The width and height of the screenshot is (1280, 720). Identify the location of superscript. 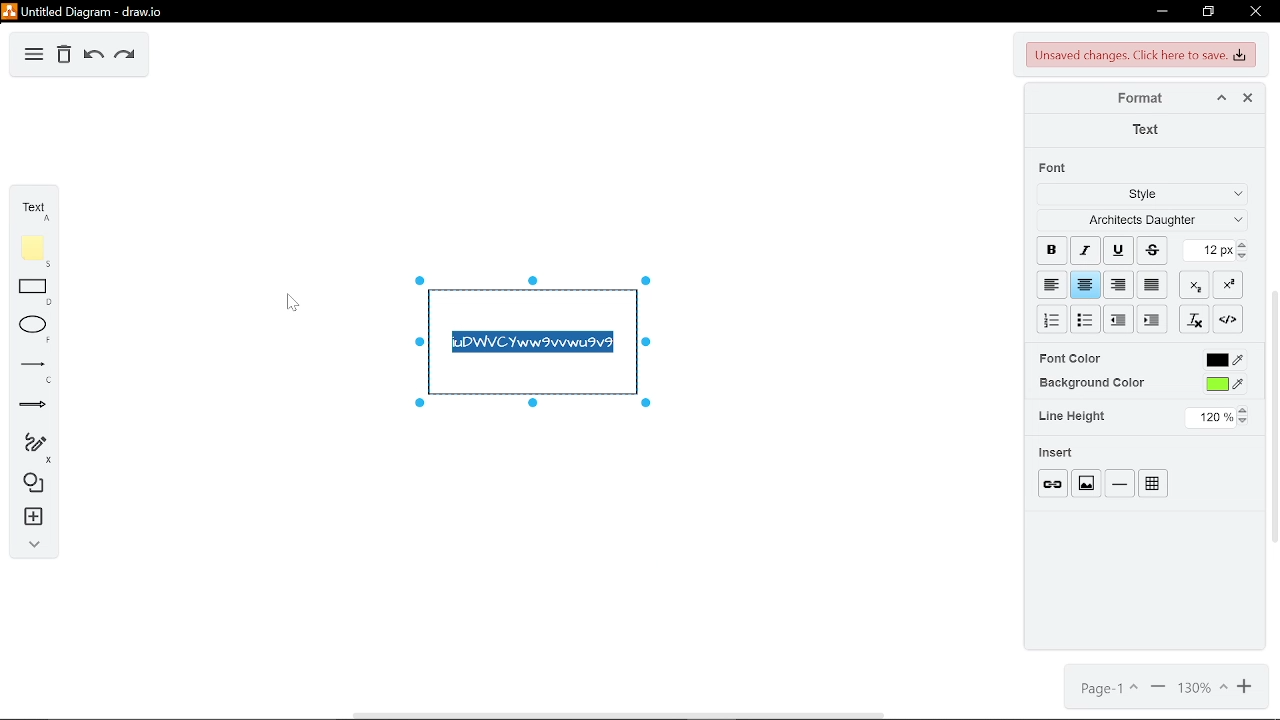
(1232, 285).